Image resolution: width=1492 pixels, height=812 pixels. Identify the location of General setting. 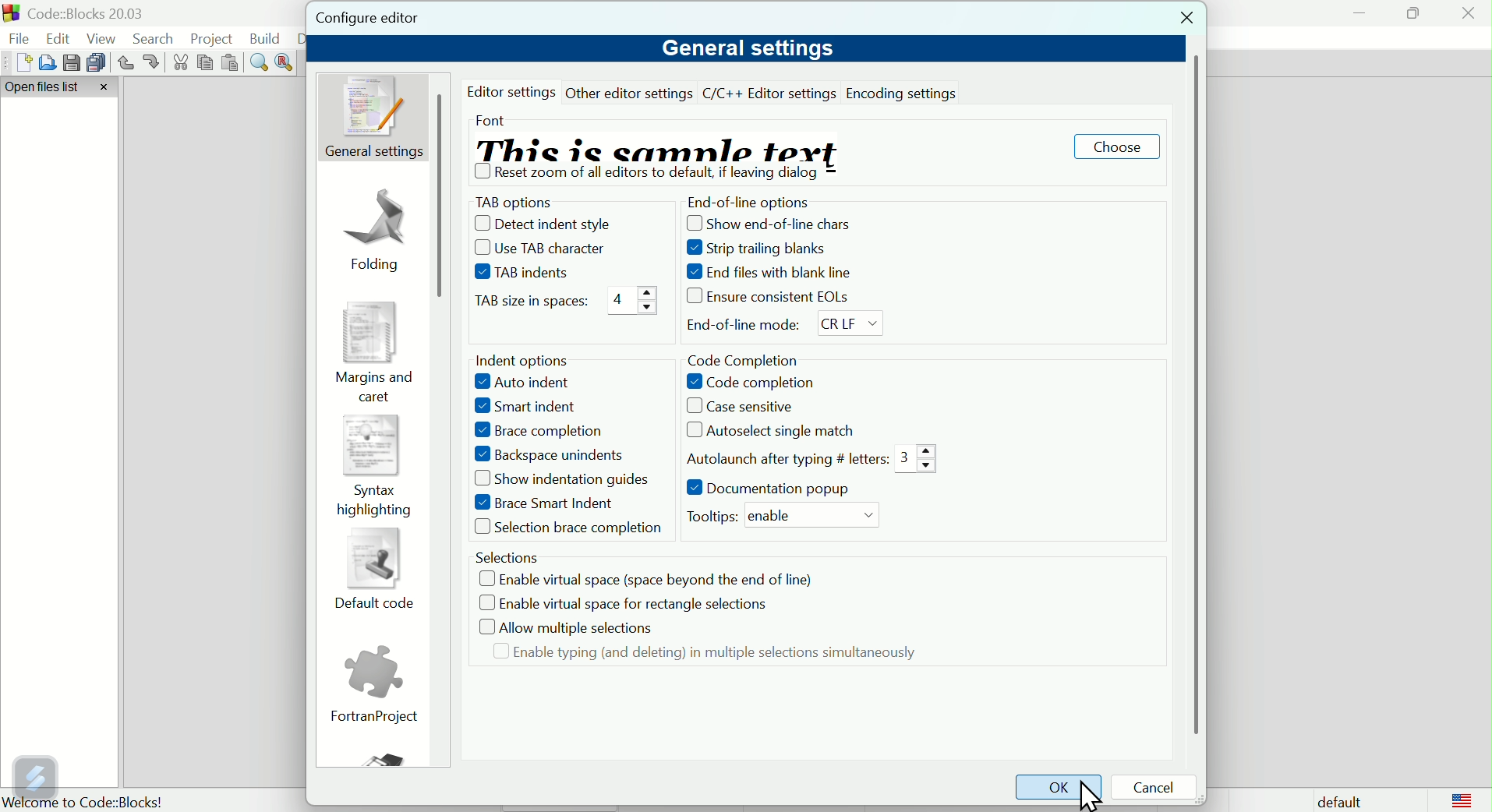
(373, 118).